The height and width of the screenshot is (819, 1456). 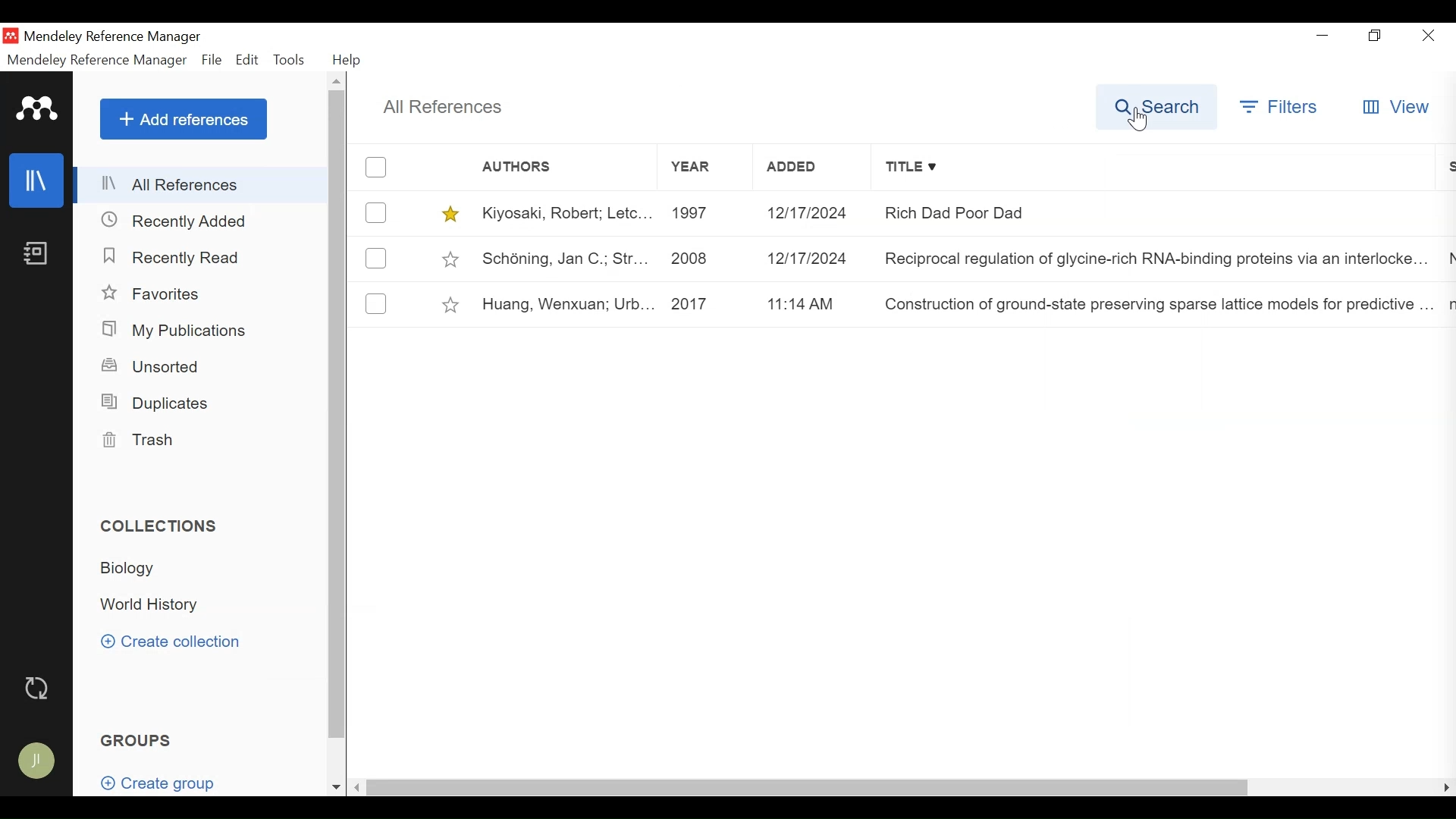 I want to click on Close, so click(x=1427, y=35).